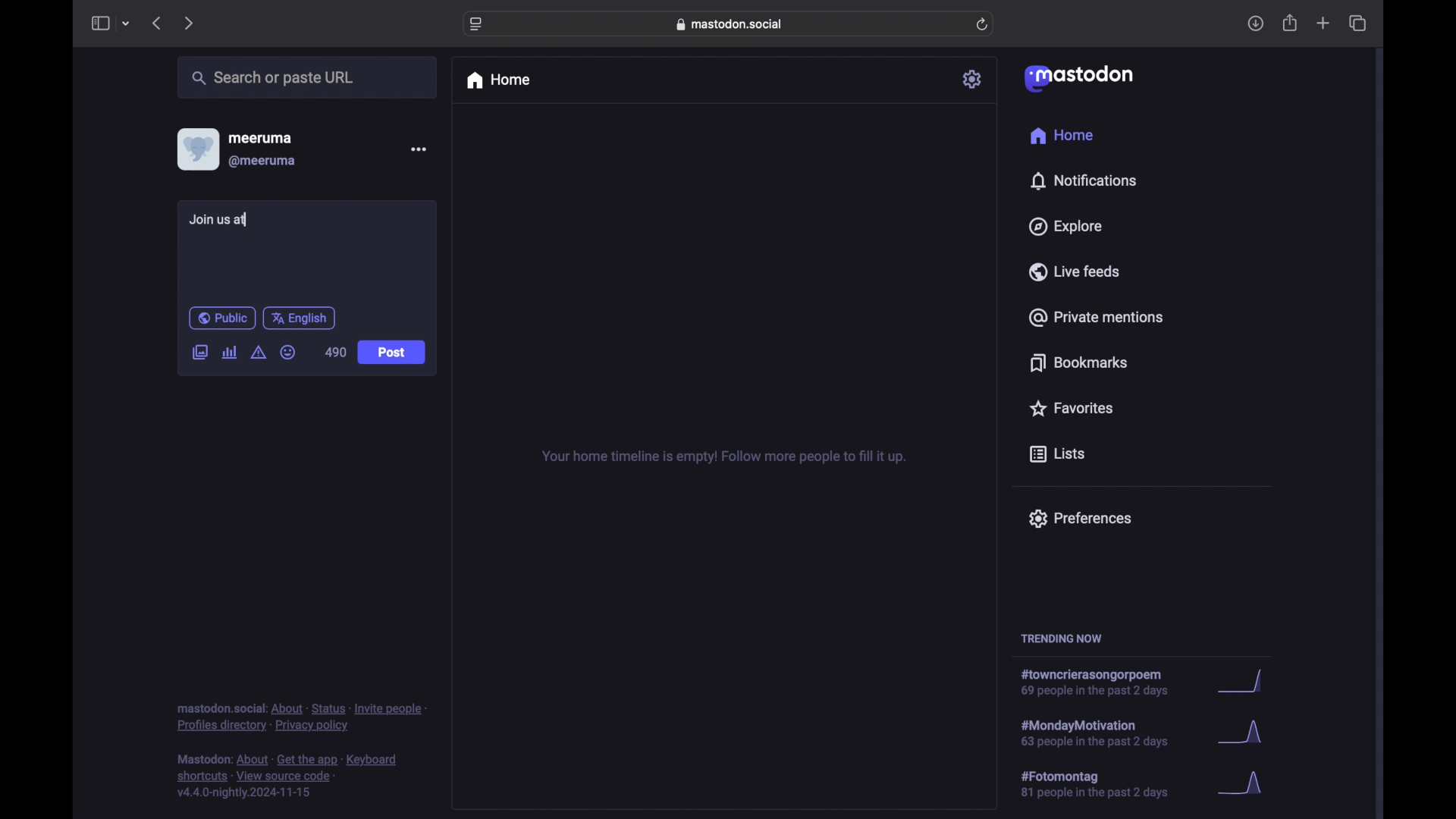 The height and width of the screenshot is (819, 1456). I want to click on 490, so click(335, 352).